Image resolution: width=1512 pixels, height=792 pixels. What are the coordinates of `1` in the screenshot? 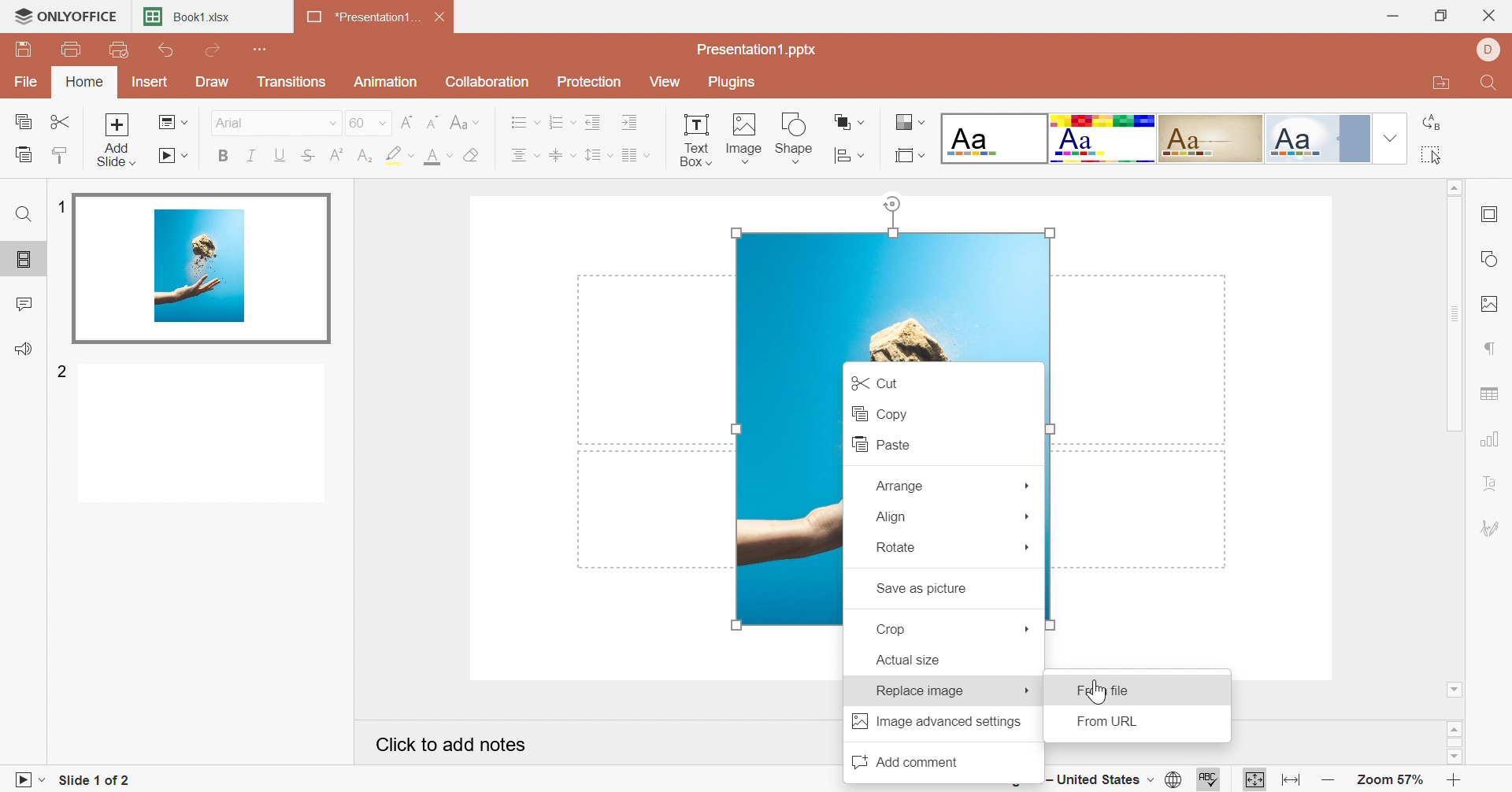 It's located at (61, 206).